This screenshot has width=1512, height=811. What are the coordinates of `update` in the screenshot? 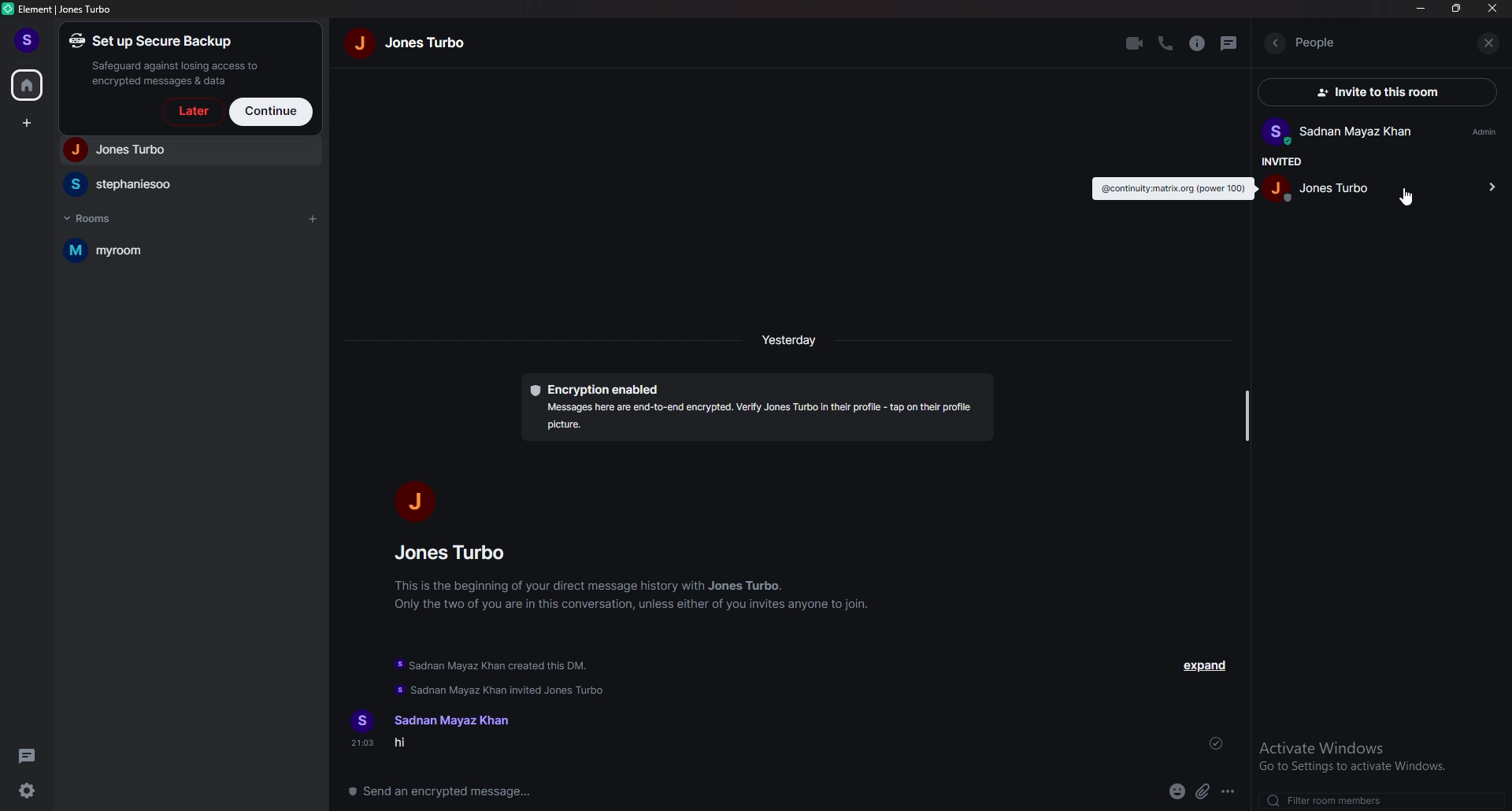 It's located at (495, 676).